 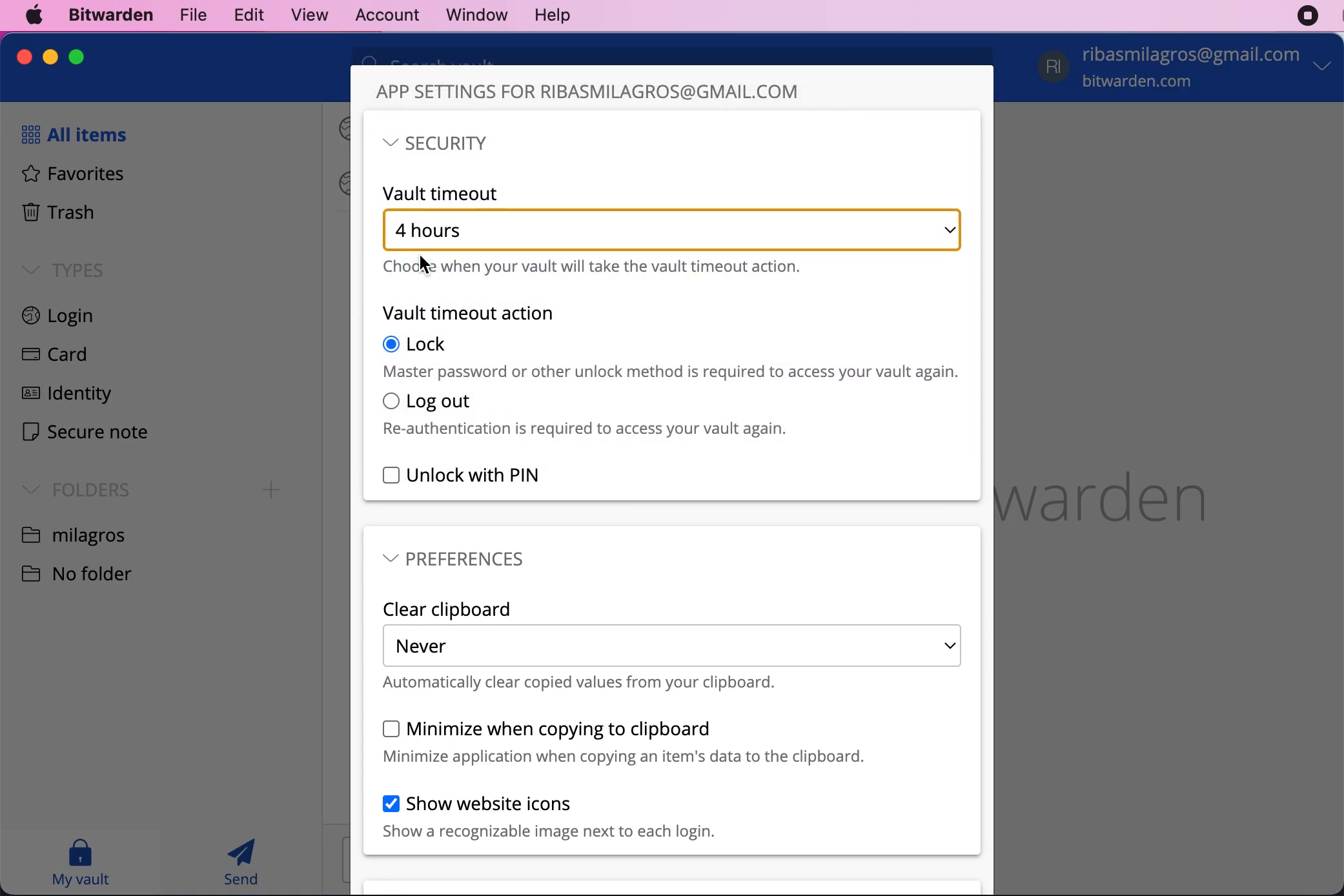 What do you see at coordinates (455, 558) in the screenshot?
I see `preferences` at bounding box center [455, 558].